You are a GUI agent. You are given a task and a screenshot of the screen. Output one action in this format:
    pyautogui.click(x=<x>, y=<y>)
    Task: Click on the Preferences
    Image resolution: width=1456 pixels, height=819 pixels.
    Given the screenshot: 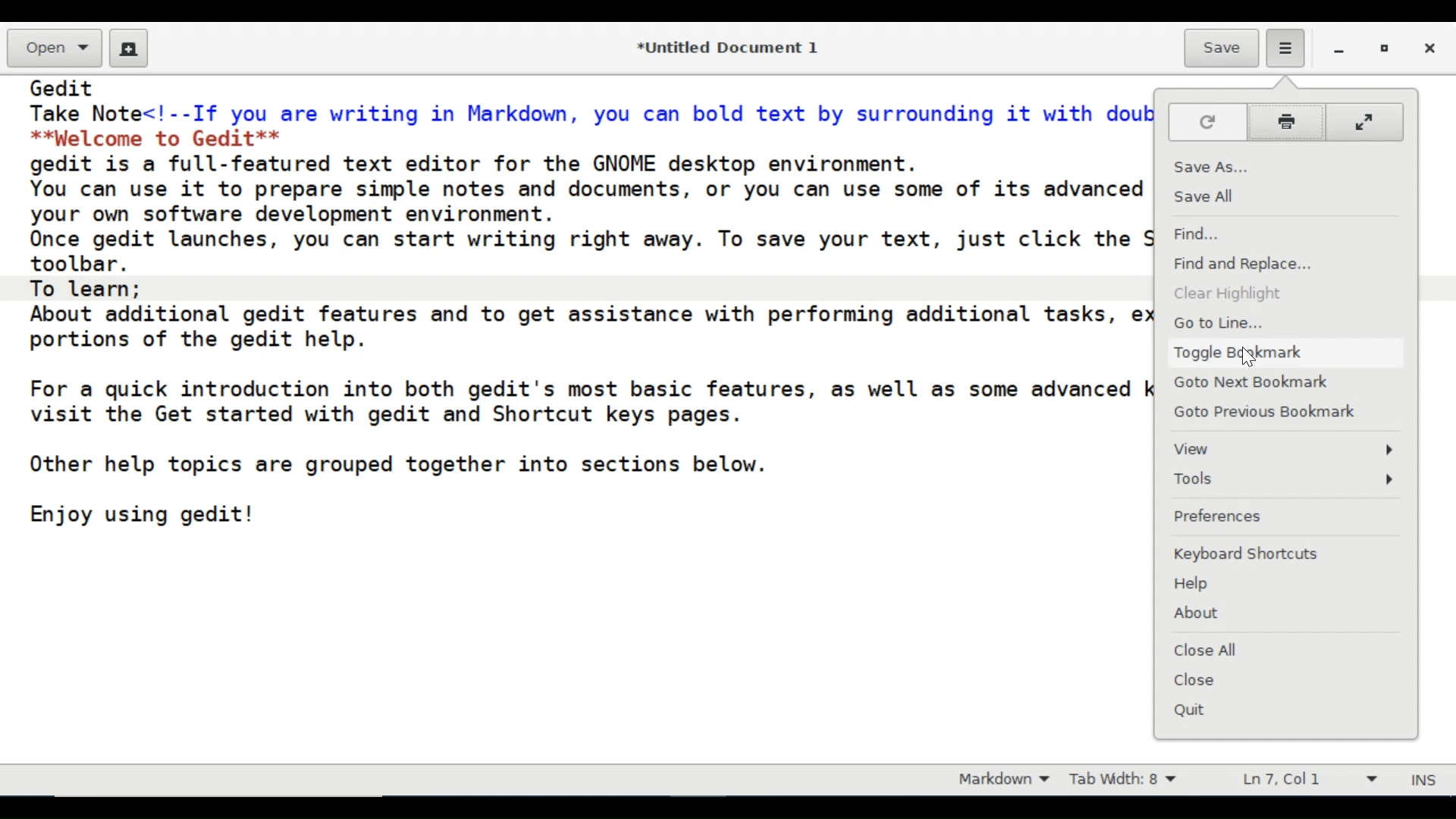 What is the action you would take?
    pyautogui.click(x=1219, y=518)
    